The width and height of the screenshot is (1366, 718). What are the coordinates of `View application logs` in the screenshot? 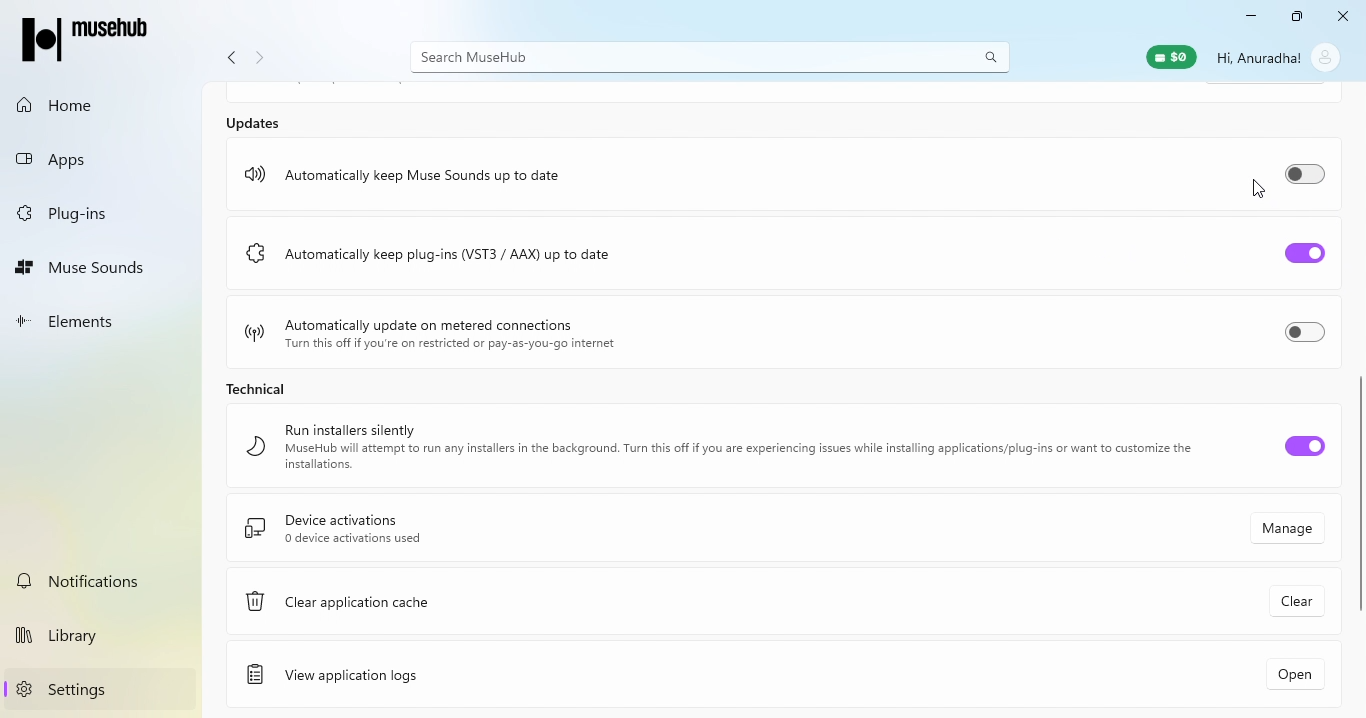 It's located at (439, 674).